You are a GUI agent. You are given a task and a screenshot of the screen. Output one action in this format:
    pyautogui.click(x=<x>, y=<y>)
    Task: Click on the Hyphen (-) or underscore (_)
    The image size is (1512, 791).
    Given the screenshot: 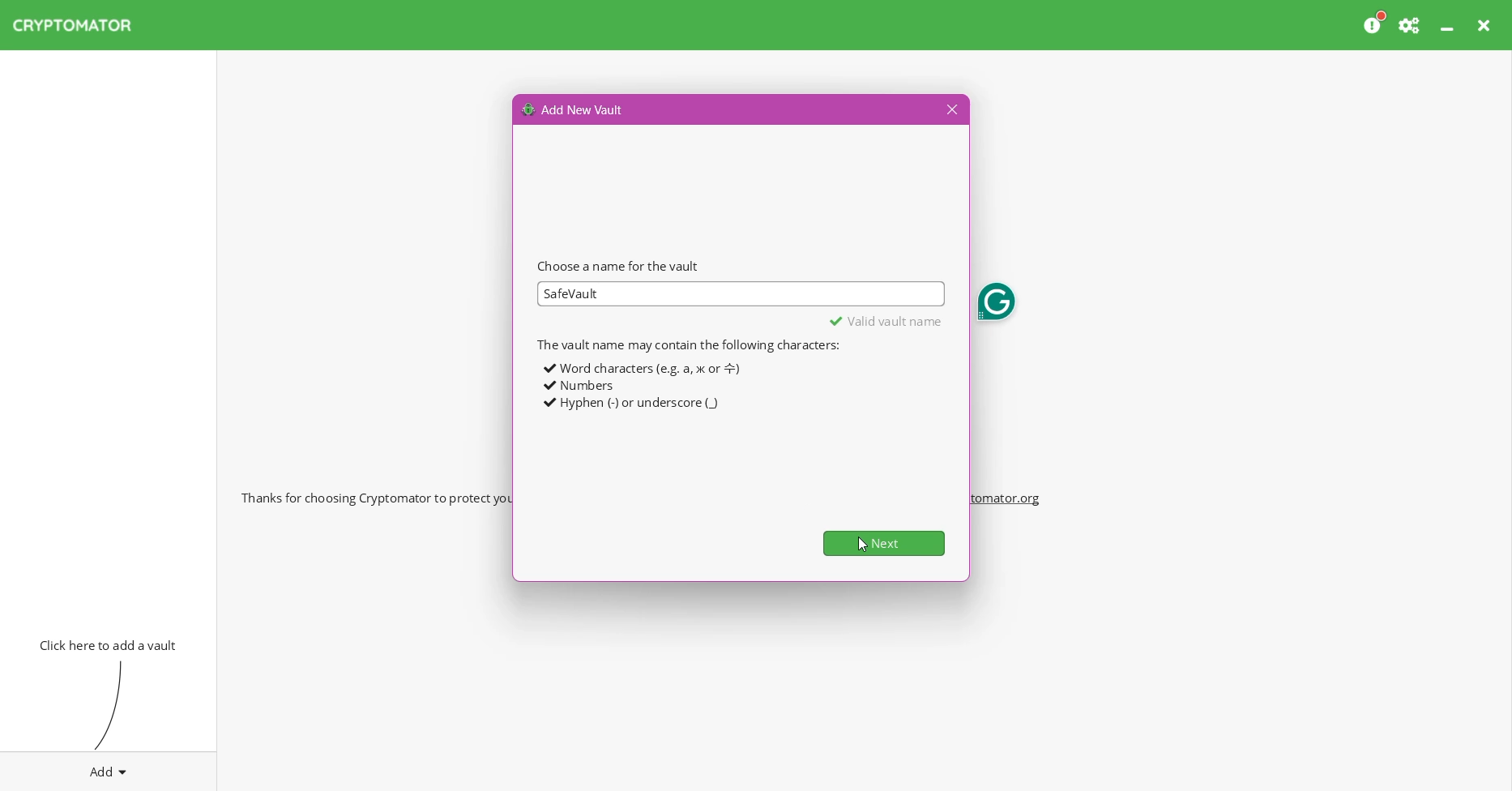 What is the action you would take?
    pyautogui.click(x=631, y=404)
    